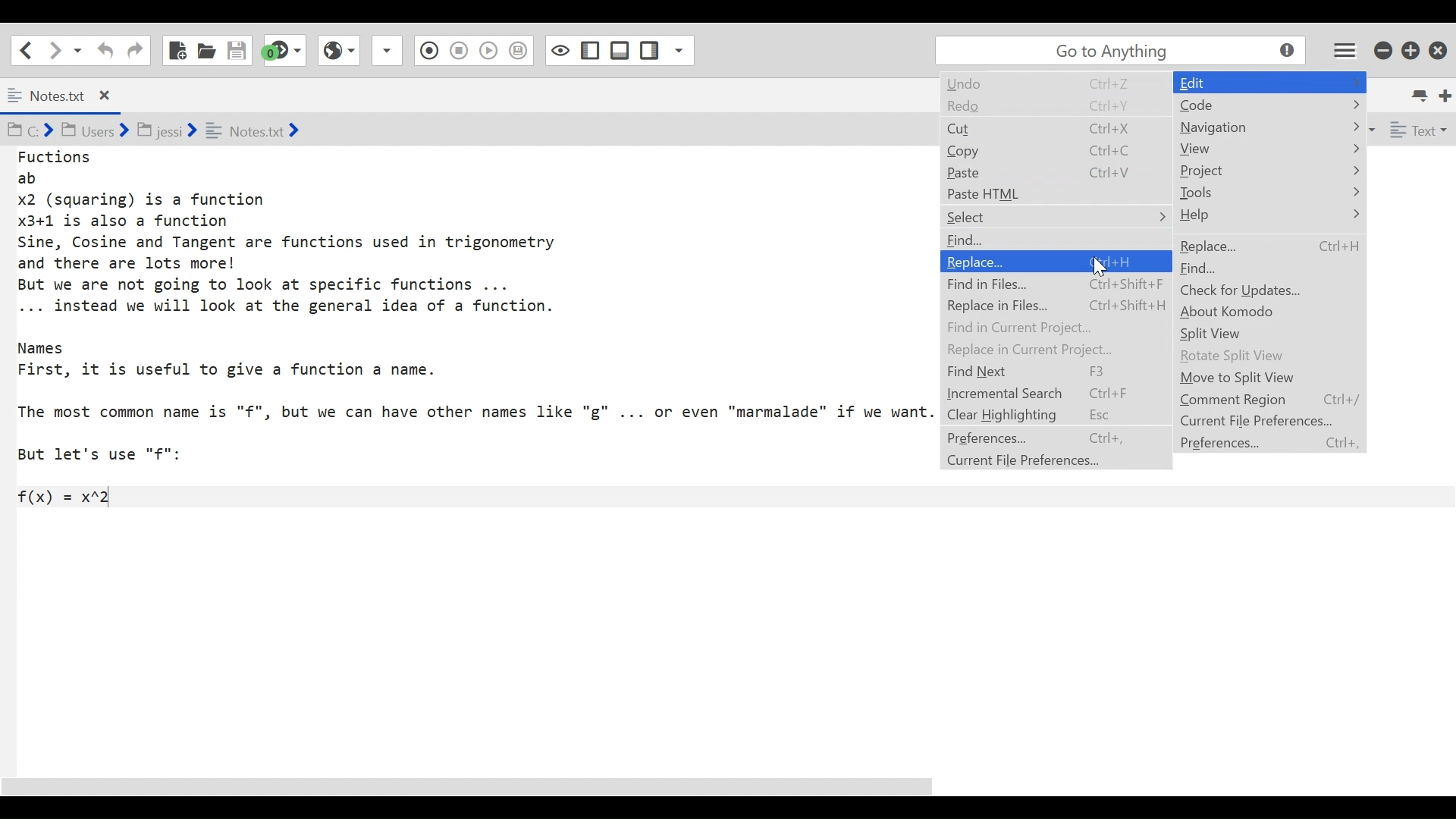 The image size is (1456, 819). I want to click on Recording Macro, so click(388, 50).